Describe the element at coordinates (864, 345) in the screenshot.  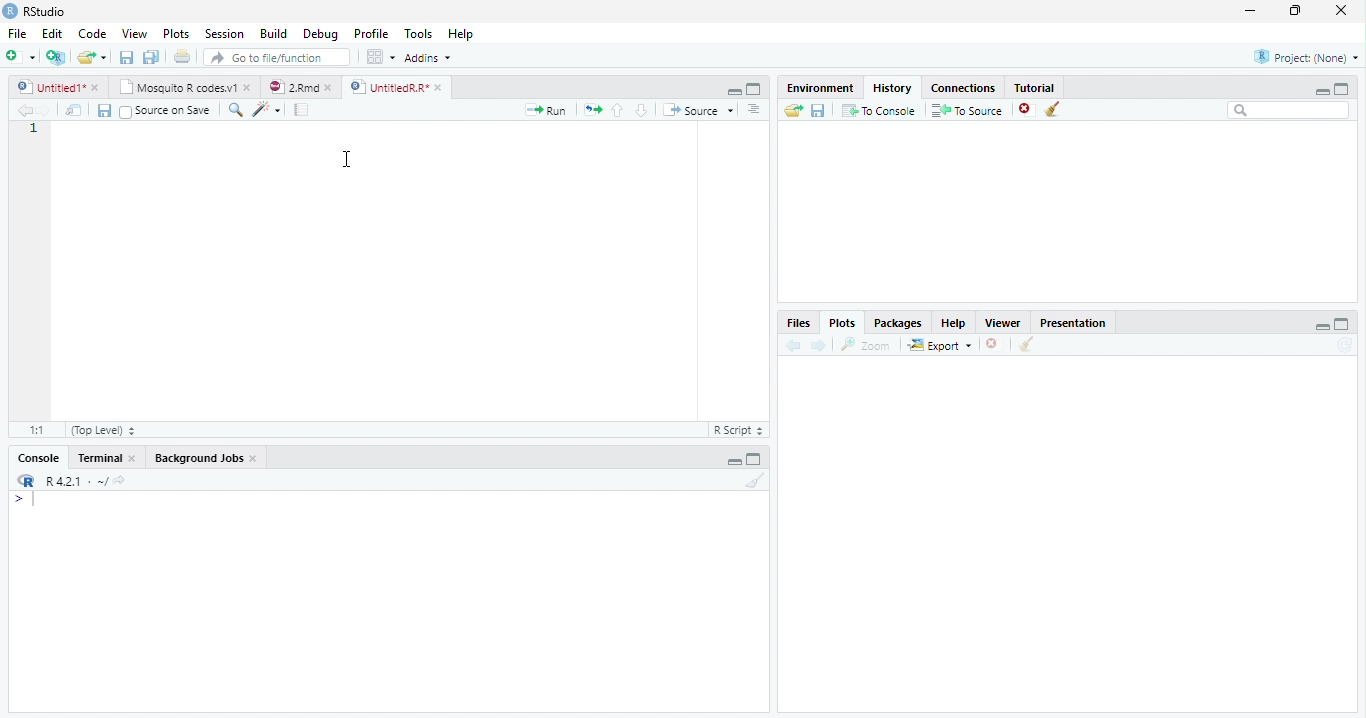
I see `Zoom` at that location.